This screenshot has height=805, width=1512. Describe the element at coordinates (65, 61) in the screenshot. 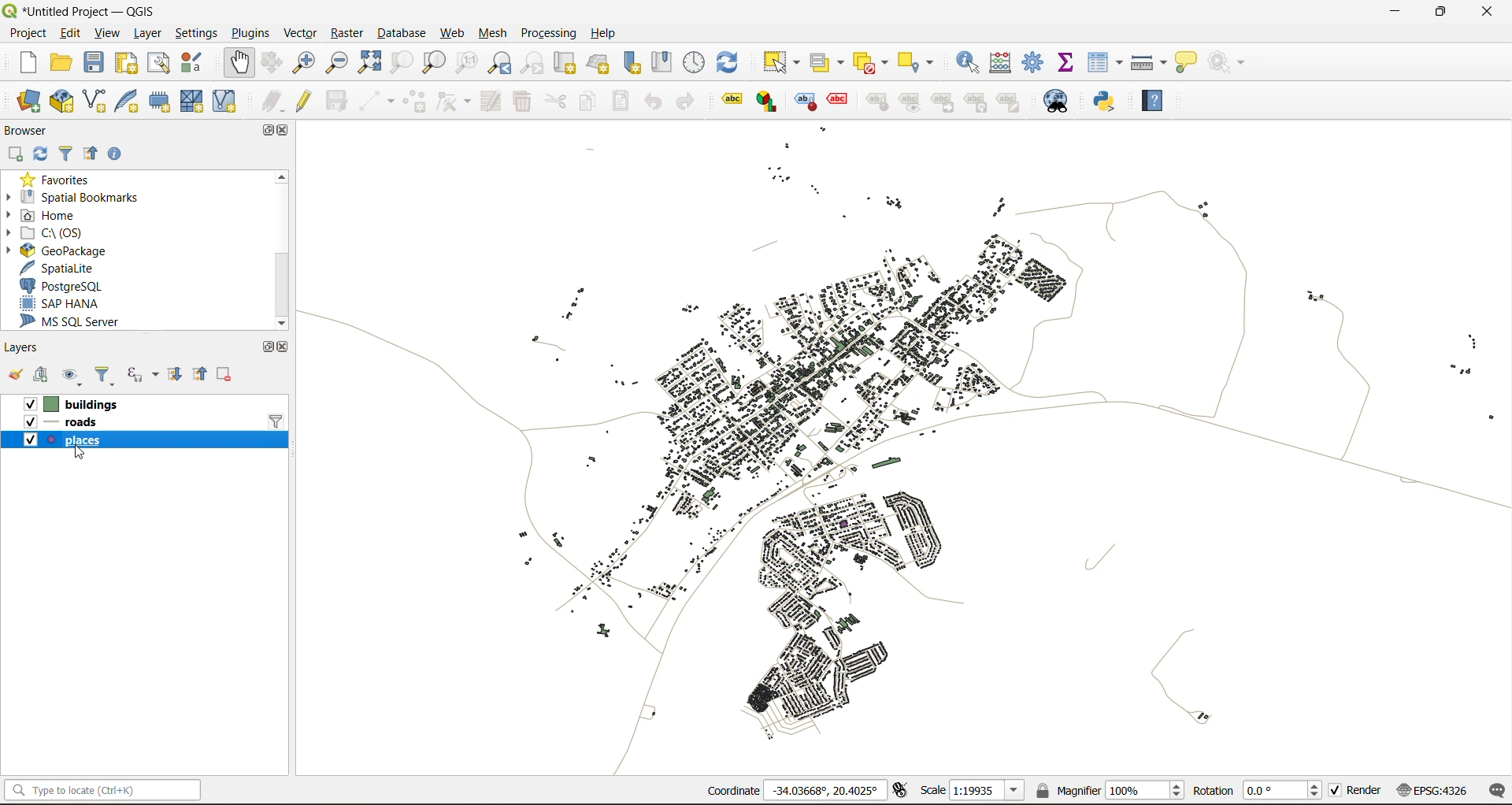

I see `open` at that location.